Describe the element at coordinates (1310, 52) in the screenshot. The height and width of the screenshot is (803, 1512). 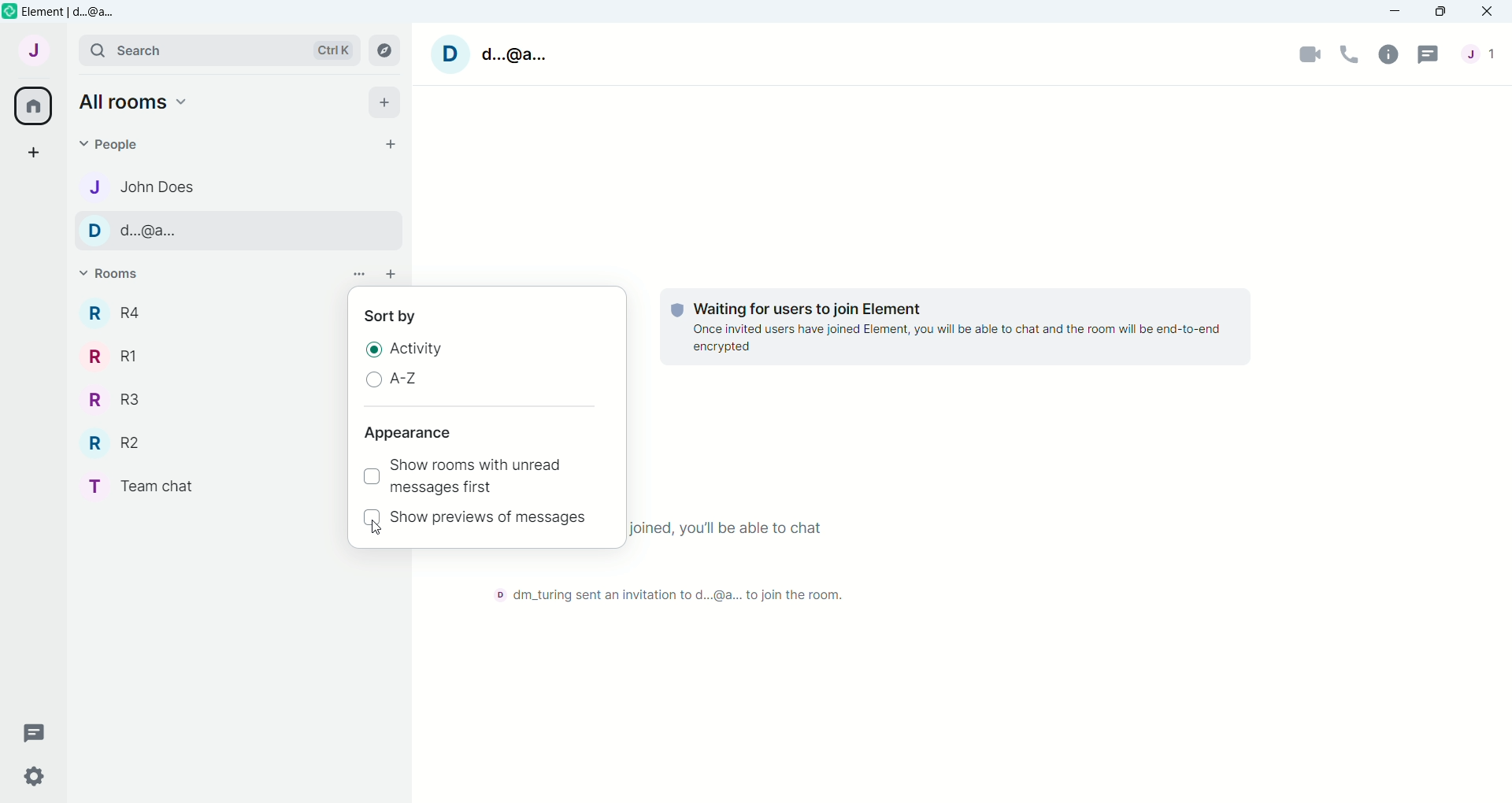
I see `Video call` at that location.